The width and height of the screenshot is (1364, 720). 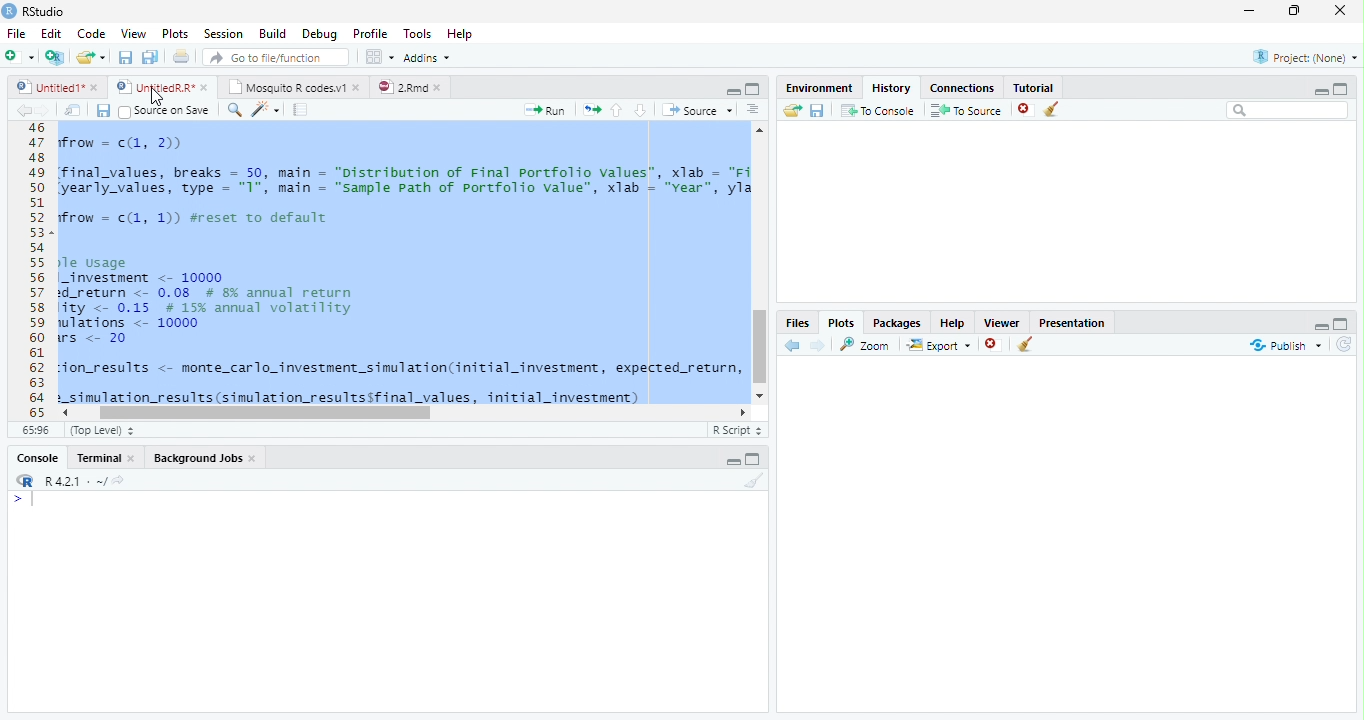 I want to click on Line Numbers, so click(x=35, y=270).